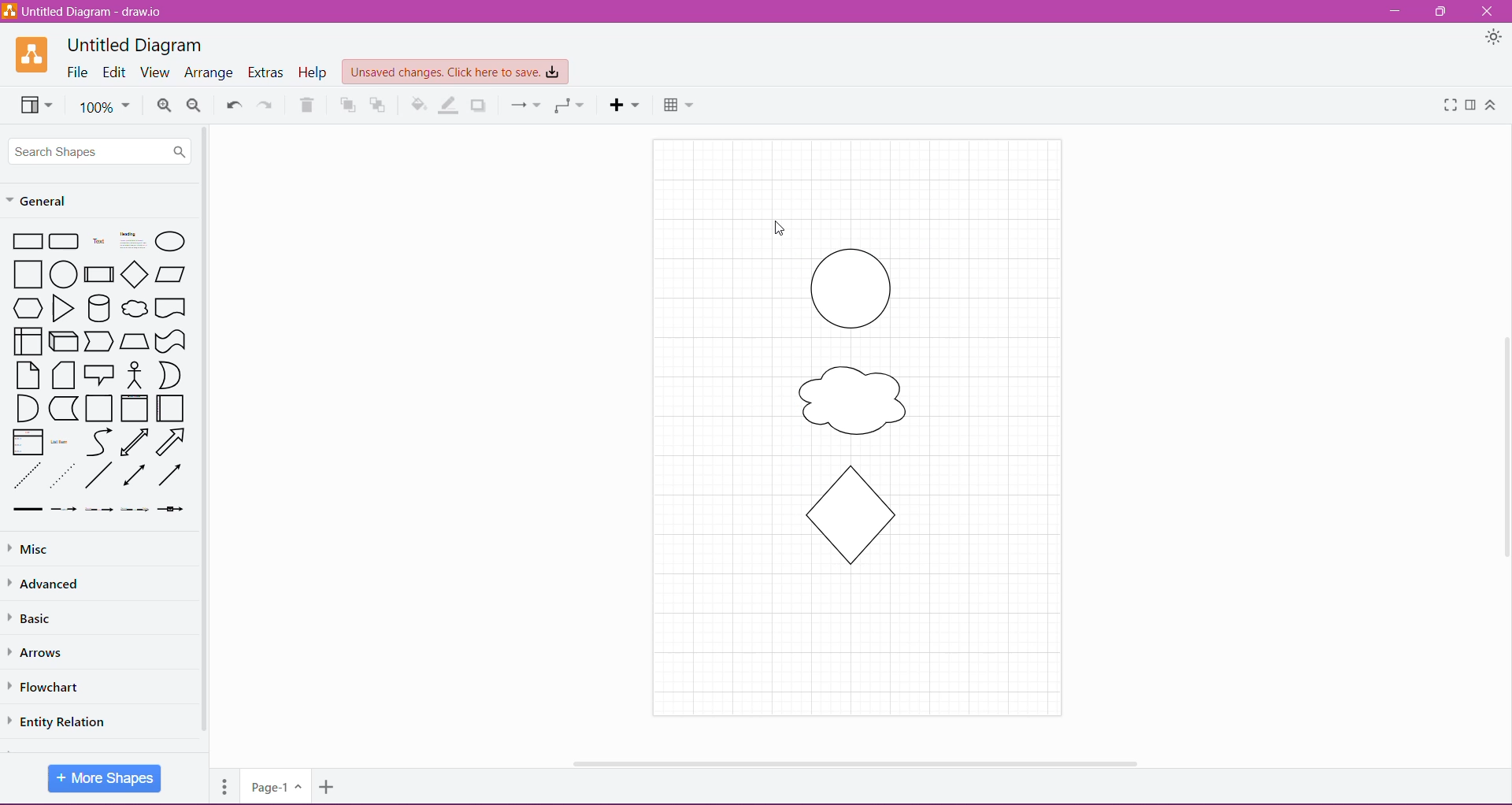  Describe the element at coordinates (767, 218) in the screenshot. I see `Cursor` at that location.